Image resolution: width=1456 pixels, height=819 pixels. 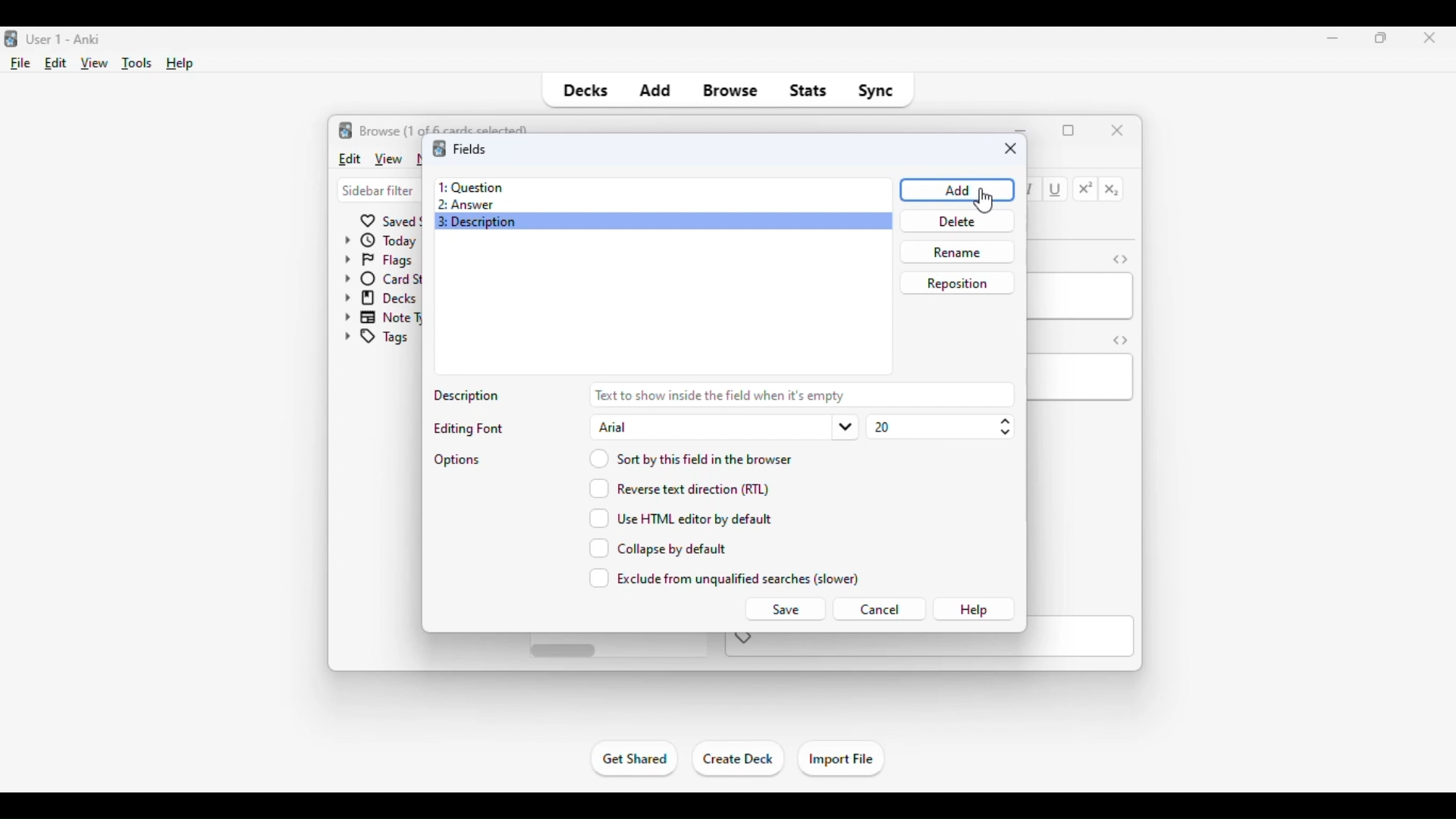 What do you see at coordinates (690, 457) in the screenshot?
I see `sort by this field in the browser` at bounding box center [690, 457].